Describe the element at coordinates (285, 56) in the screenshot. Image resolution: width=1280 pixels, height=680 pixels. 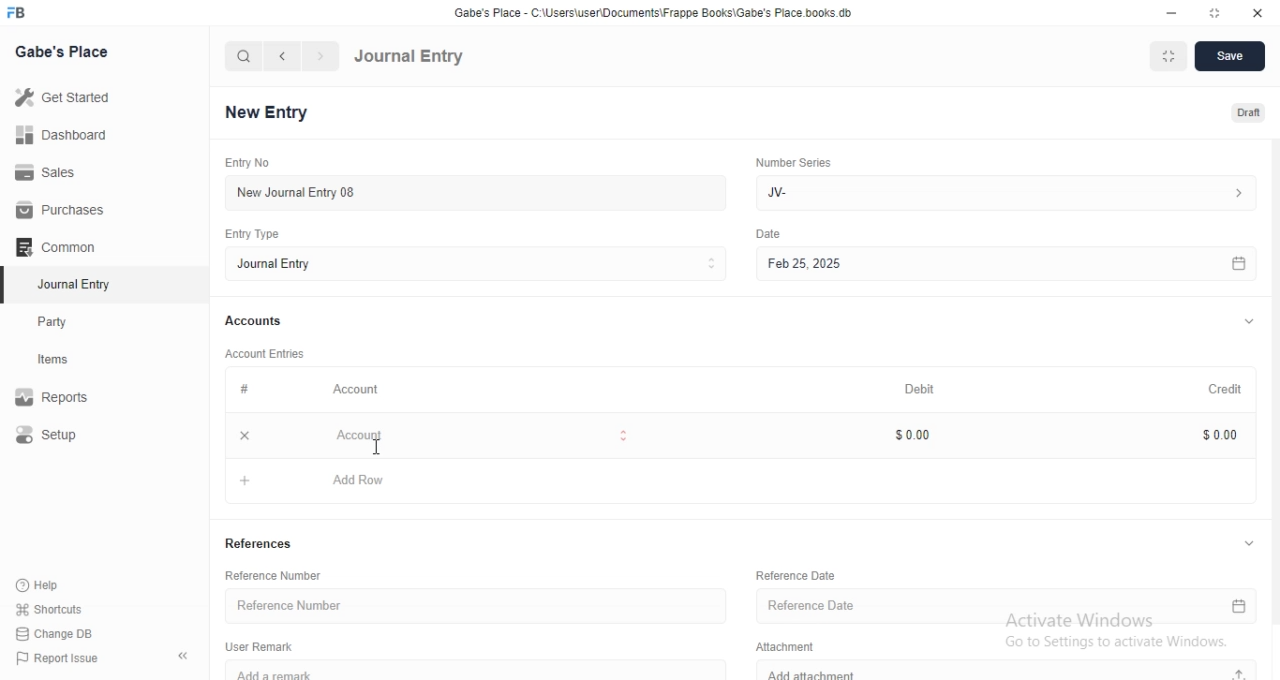
I see `navigate backward` at that location.